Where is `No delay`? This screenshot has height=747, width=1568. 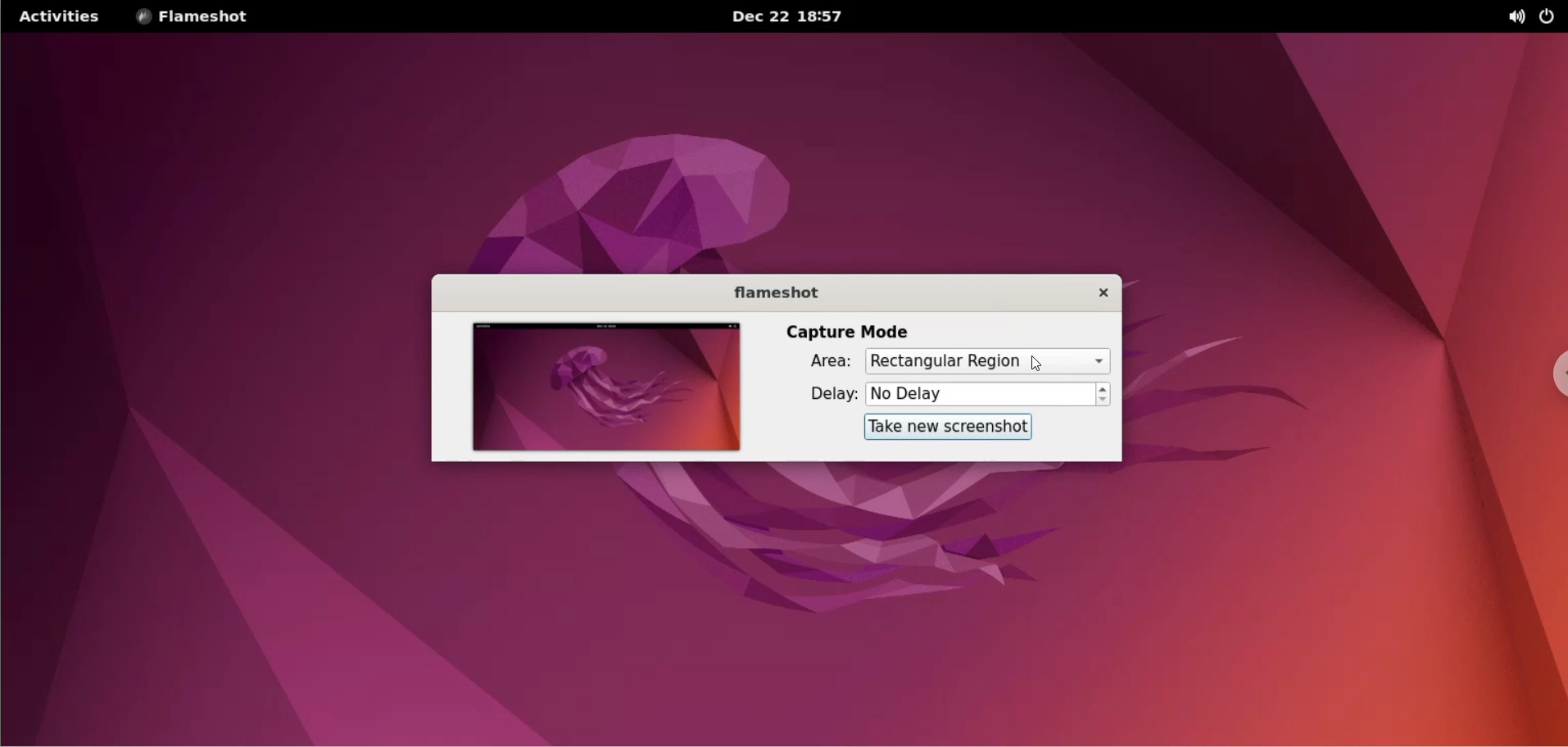 No delay is located at coordinates (979, 393).